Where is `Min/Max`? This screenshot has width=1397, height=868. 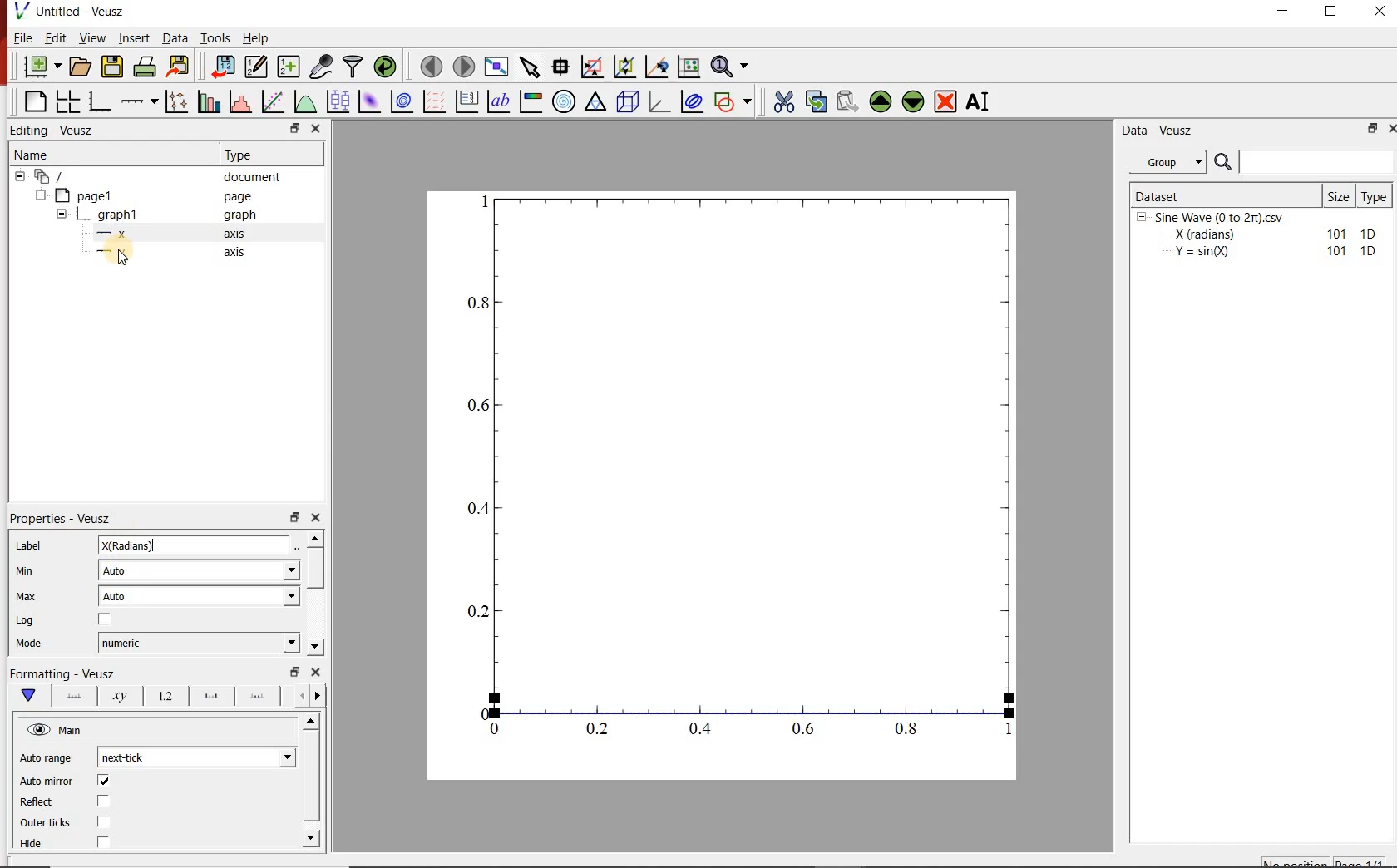
Min/Max is located at coordinates (295, 515).